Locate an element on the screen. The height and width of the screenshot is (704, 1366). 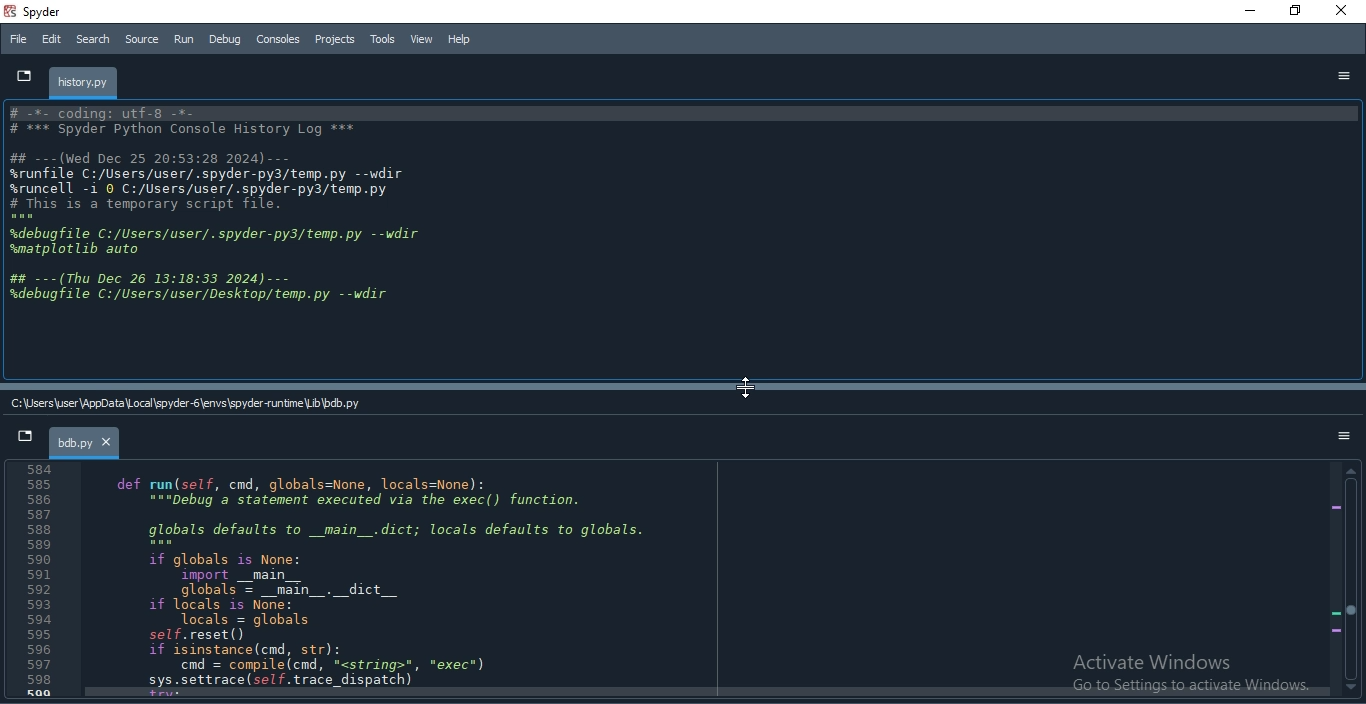
options is located at coordinates (1343, 76).